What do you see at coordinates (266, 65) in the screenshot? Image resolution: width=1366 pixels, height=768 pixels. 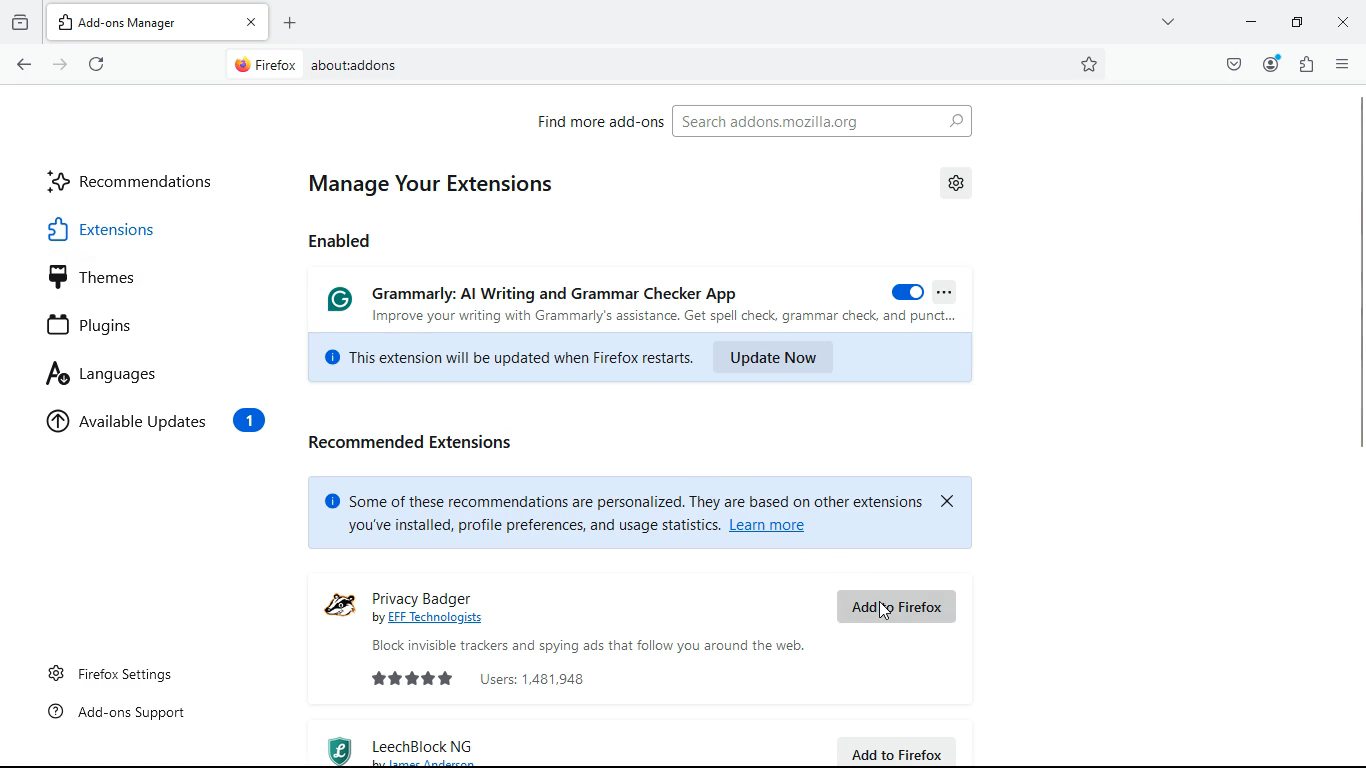 I see `Firefox` at bounding box center [266, 65].